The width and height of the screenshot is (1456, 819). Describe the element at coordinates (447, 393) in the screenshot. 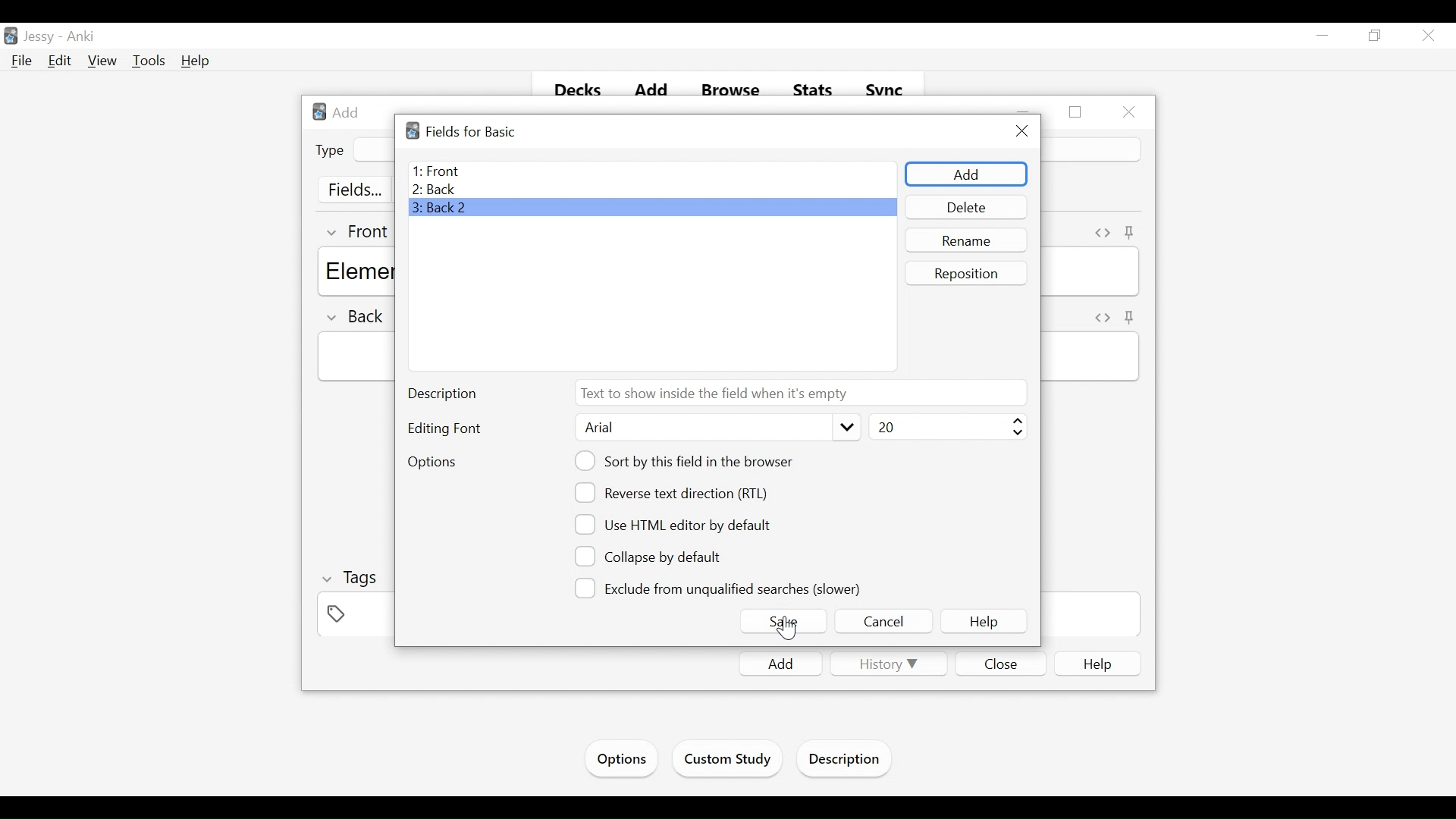

I see `Description` at that location.